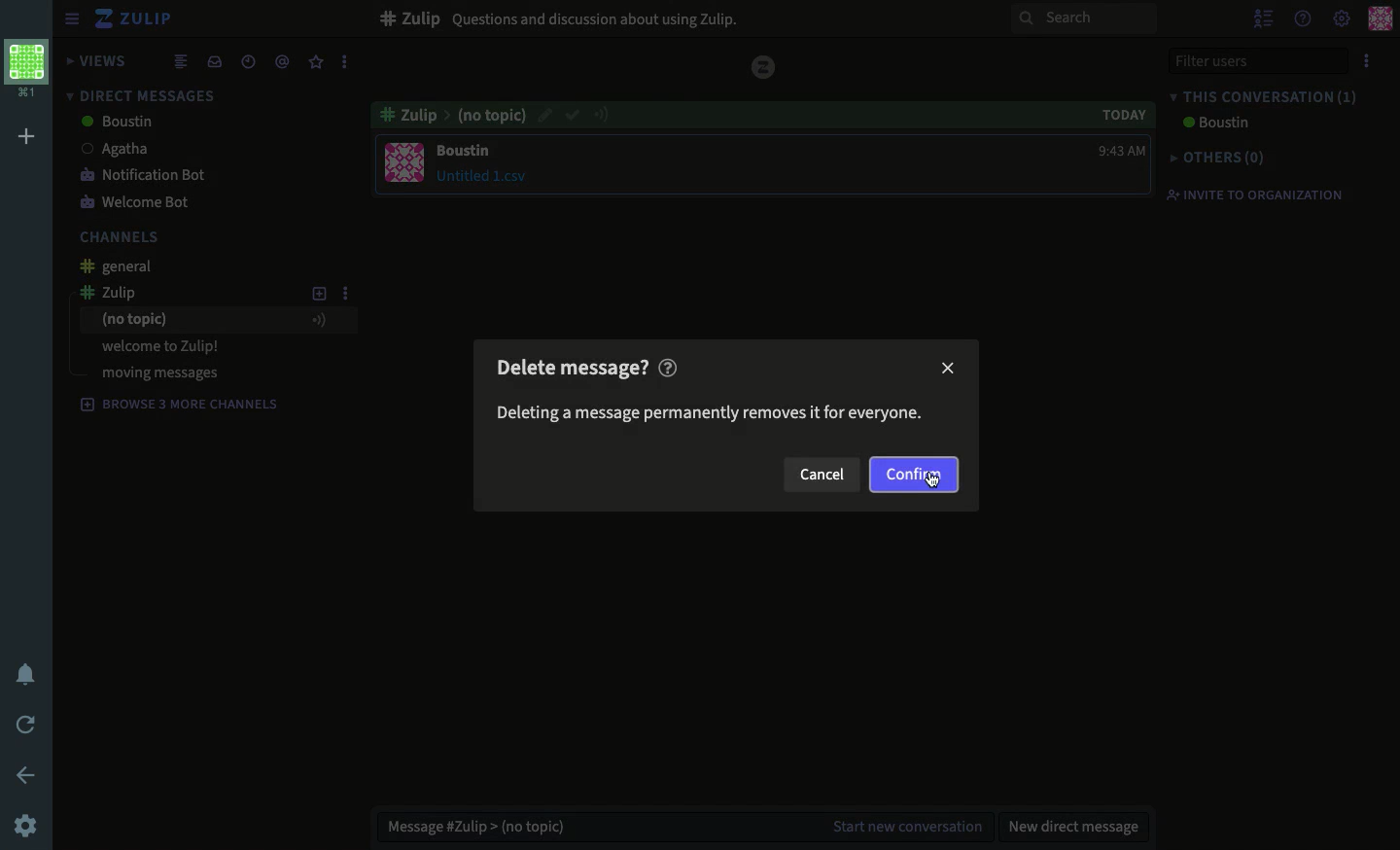 This screenshot has width=1400, height=850. Describe the element at coordinates (935, 478) in the screenshot. I see `Cursor` at that location.